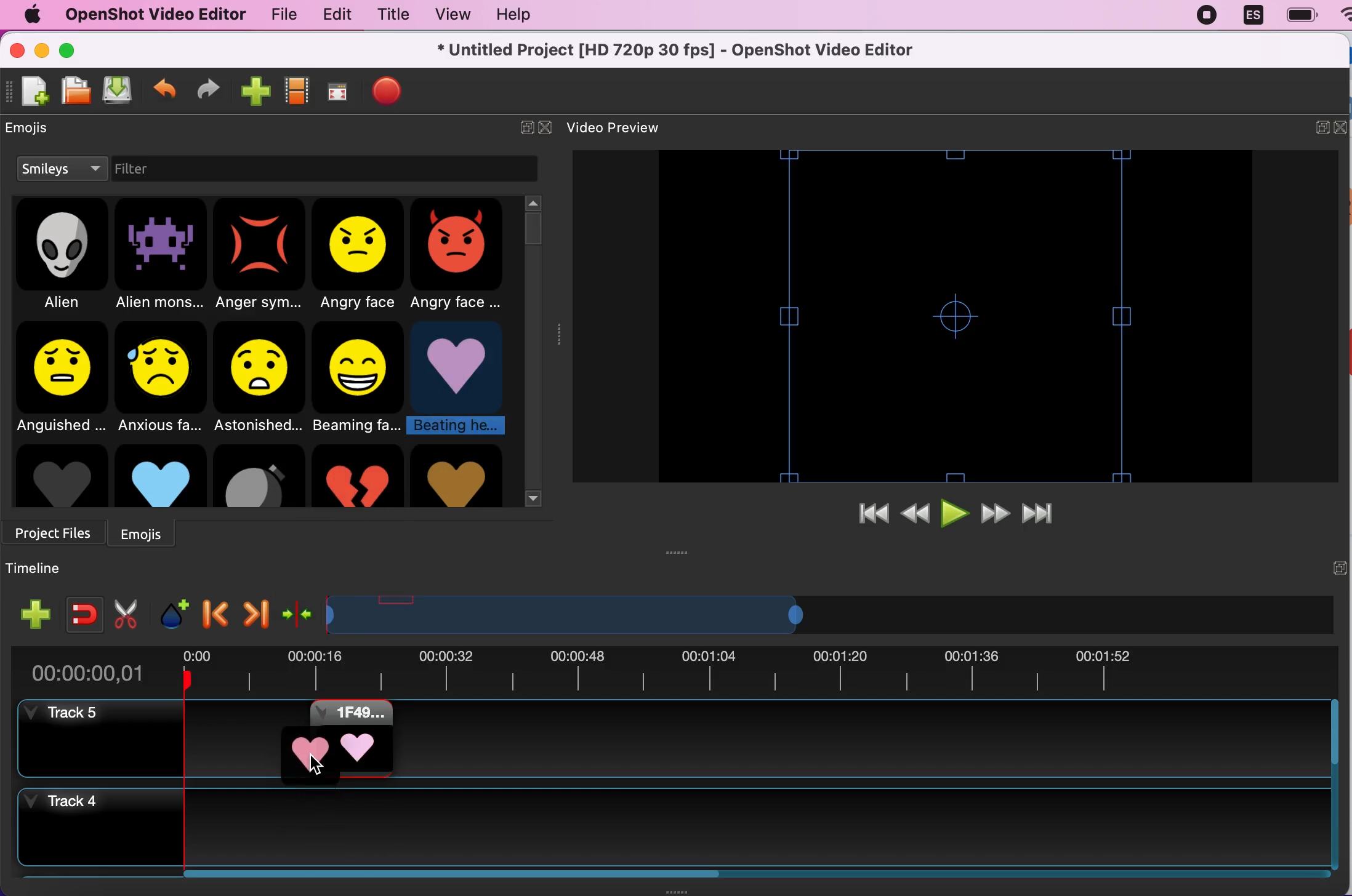 Image resolution: width=1352 pixels, height=896 pixels. Describe the element at coordinates (172, 610) in the screenshot. I see `add marker` at that location.